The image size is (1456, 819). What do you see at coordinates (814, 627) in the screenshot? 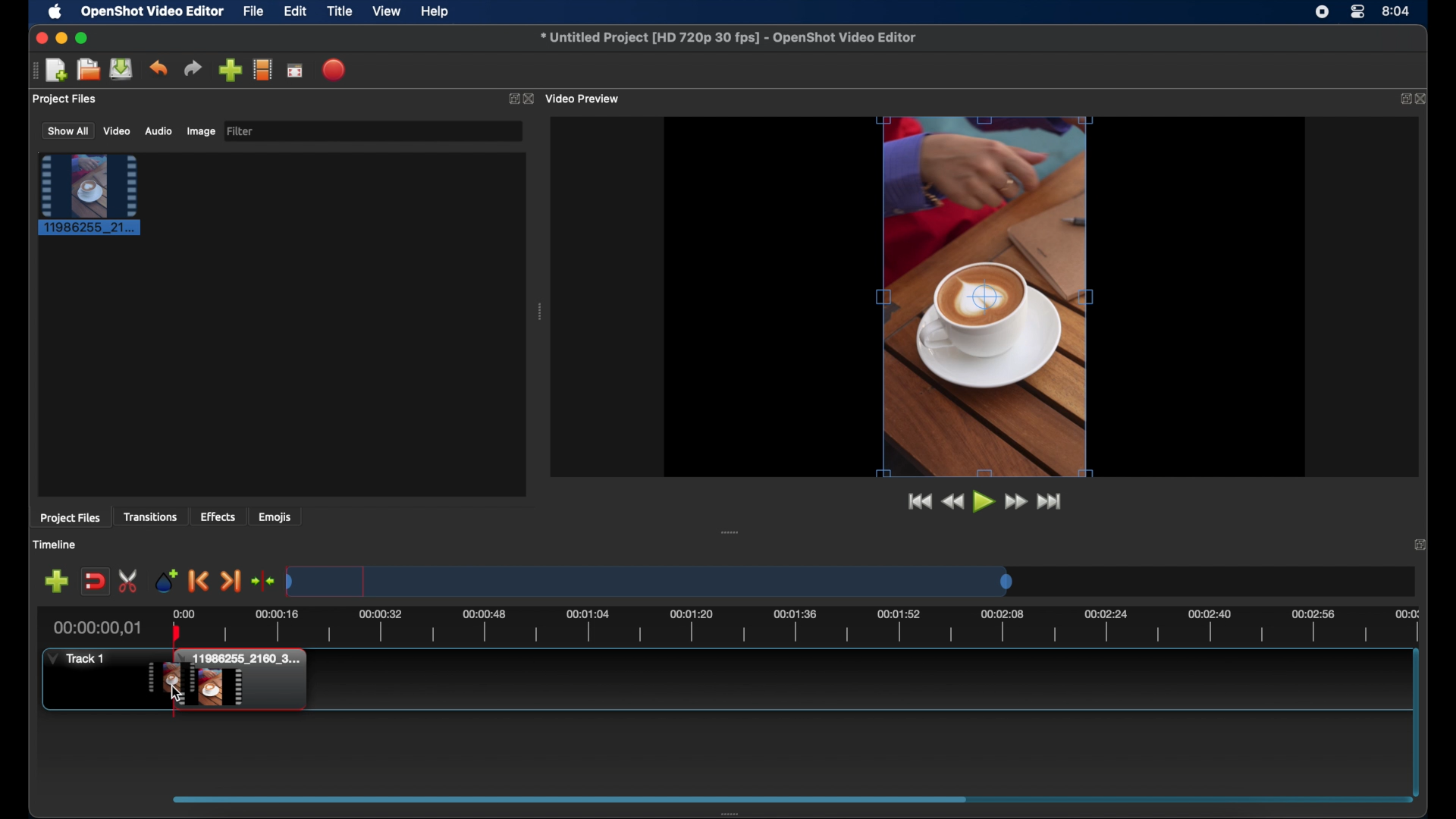
I see `timeline ` at bounding box center [814, 627].